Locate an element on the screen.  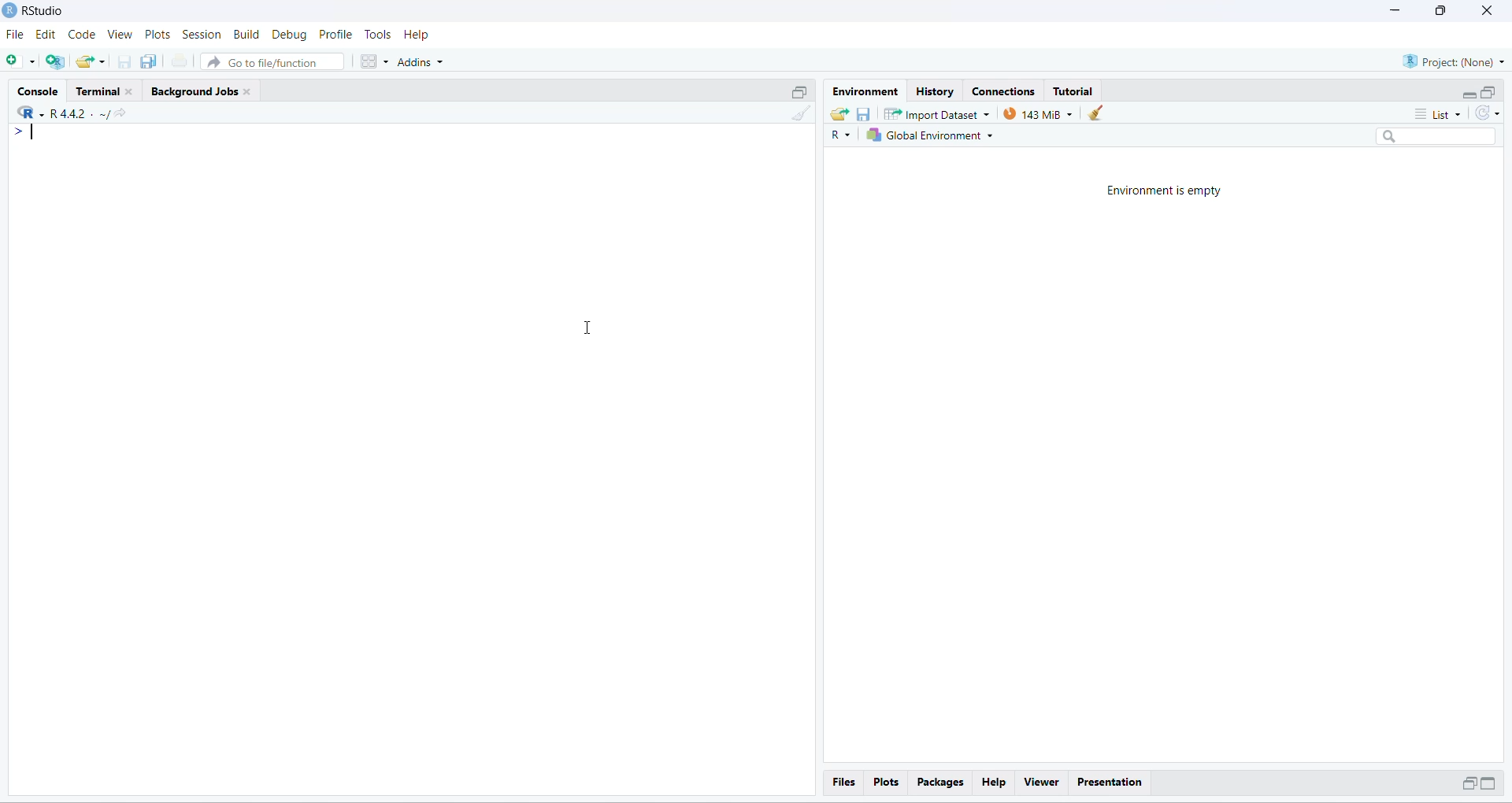
enviornment is located at coordinates (867, 92).